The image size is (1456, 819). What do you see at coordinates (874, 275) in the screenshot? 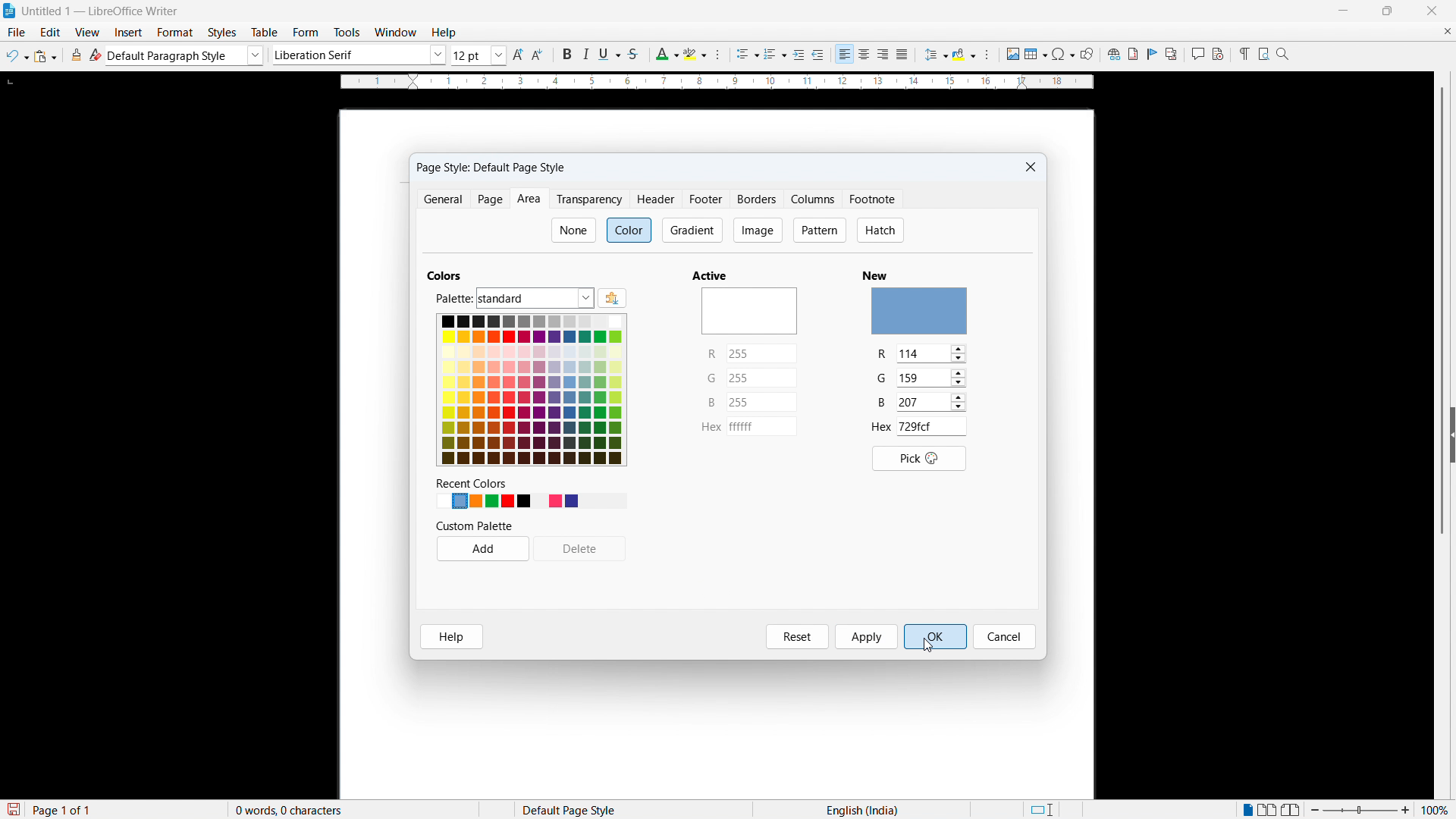
I see `New ` at bounding box center [874, 275].